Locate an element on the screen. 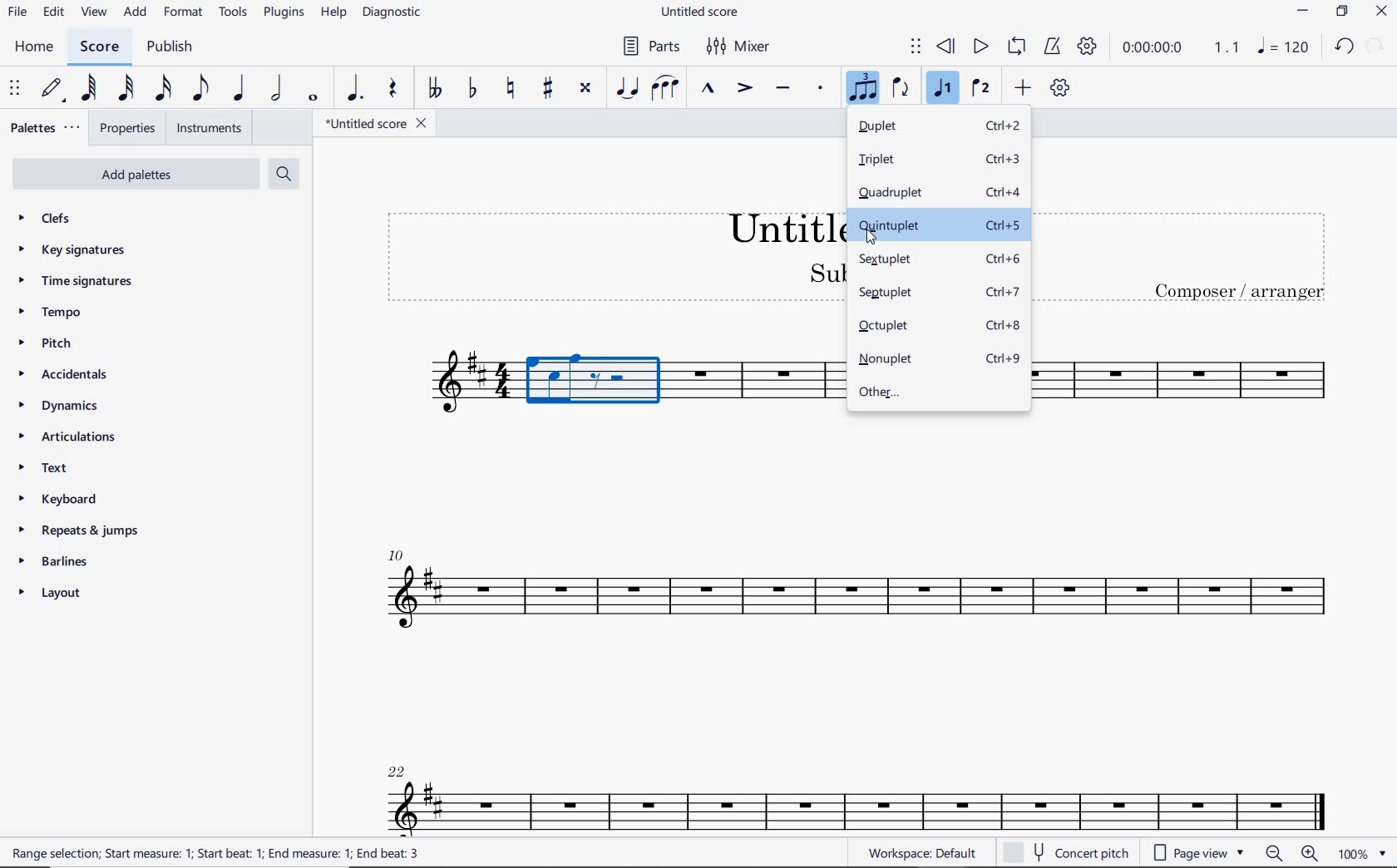 This screenshot has width=1397, height=868. FILE NAME is located at coordinates (371, 123).